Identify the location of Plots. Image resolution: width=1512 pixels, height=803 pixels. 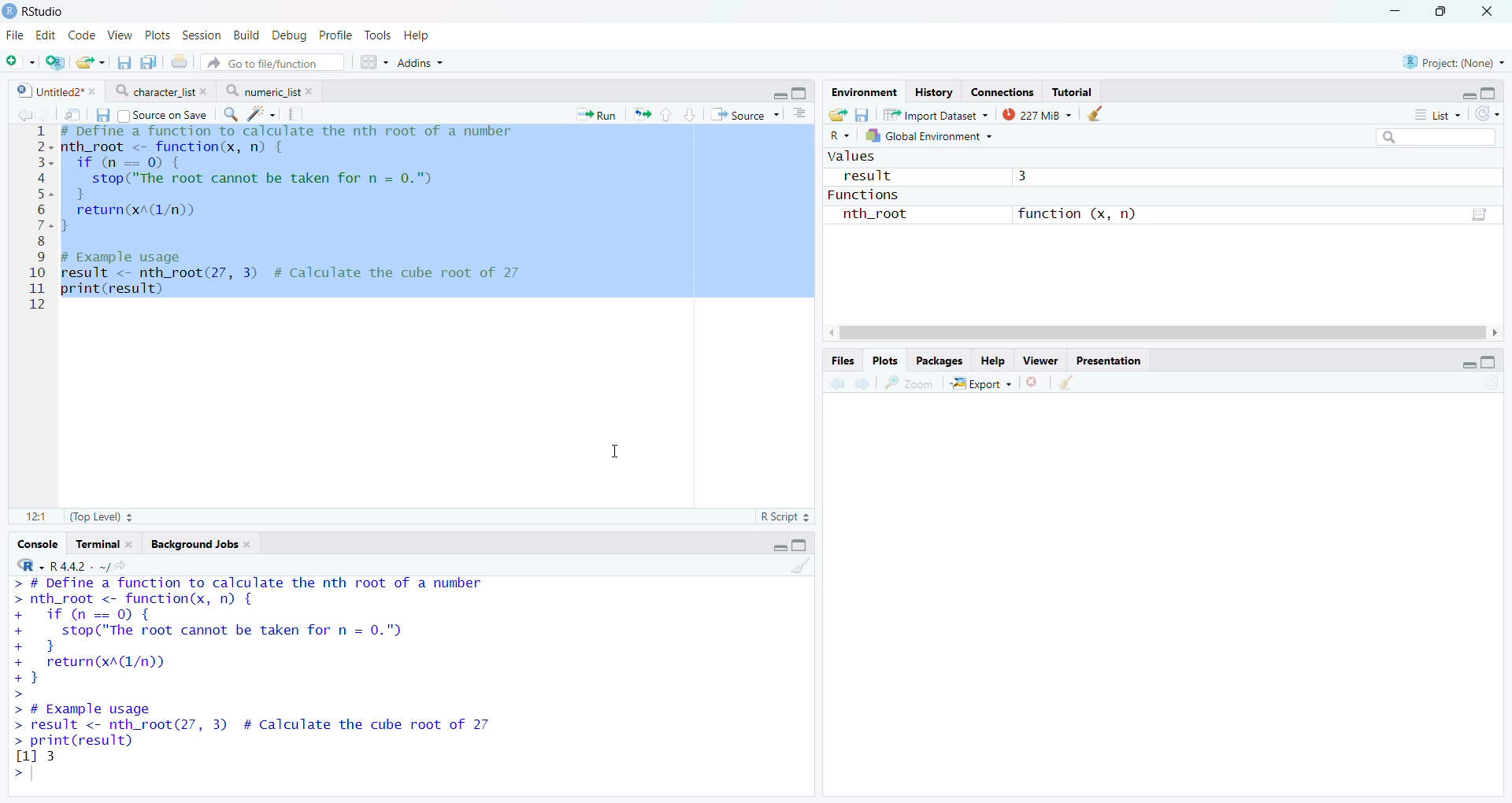
(158, 34).